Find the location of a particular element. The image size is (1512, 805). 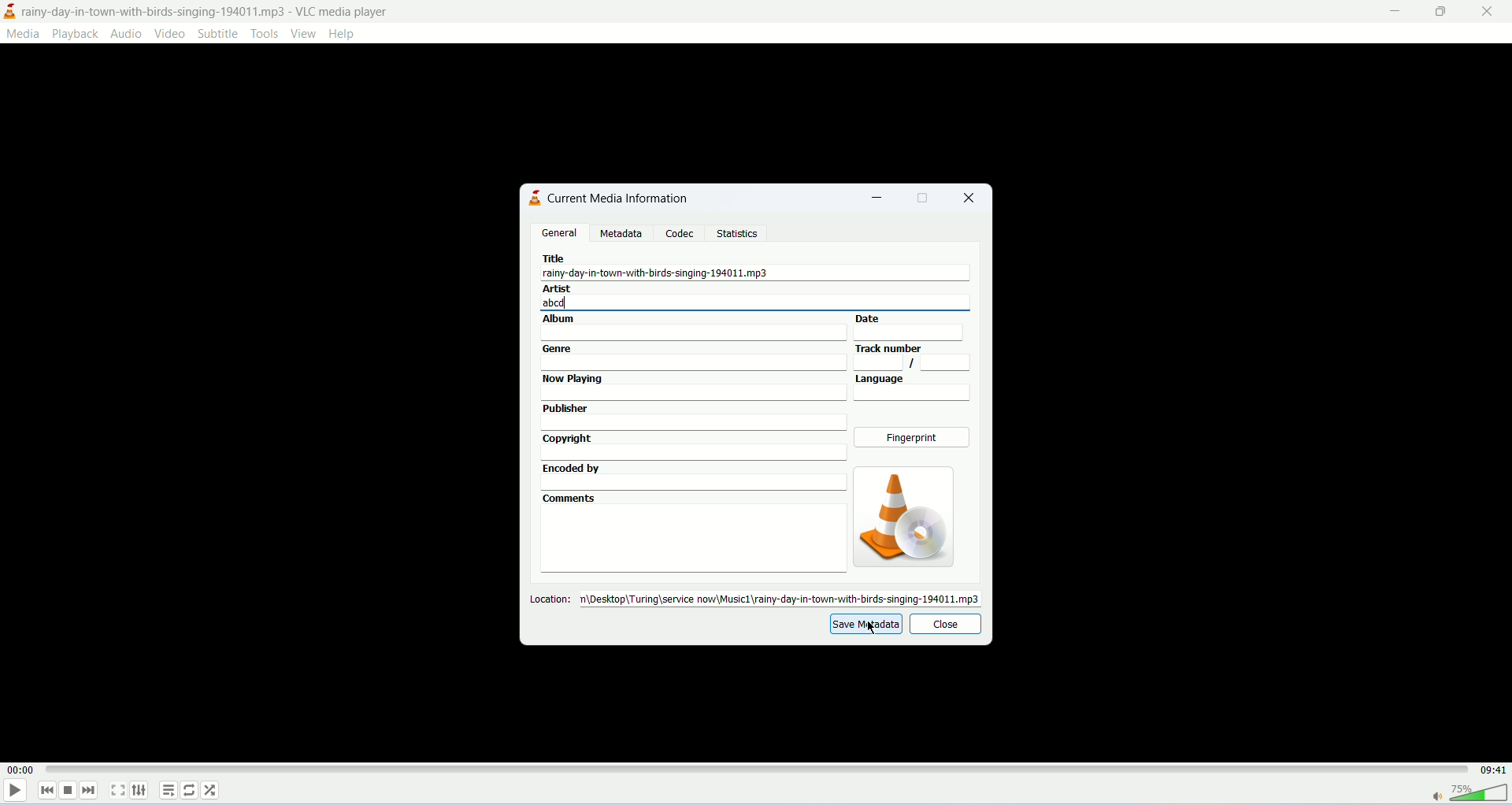

metadata is located at coordinates (621, 234).